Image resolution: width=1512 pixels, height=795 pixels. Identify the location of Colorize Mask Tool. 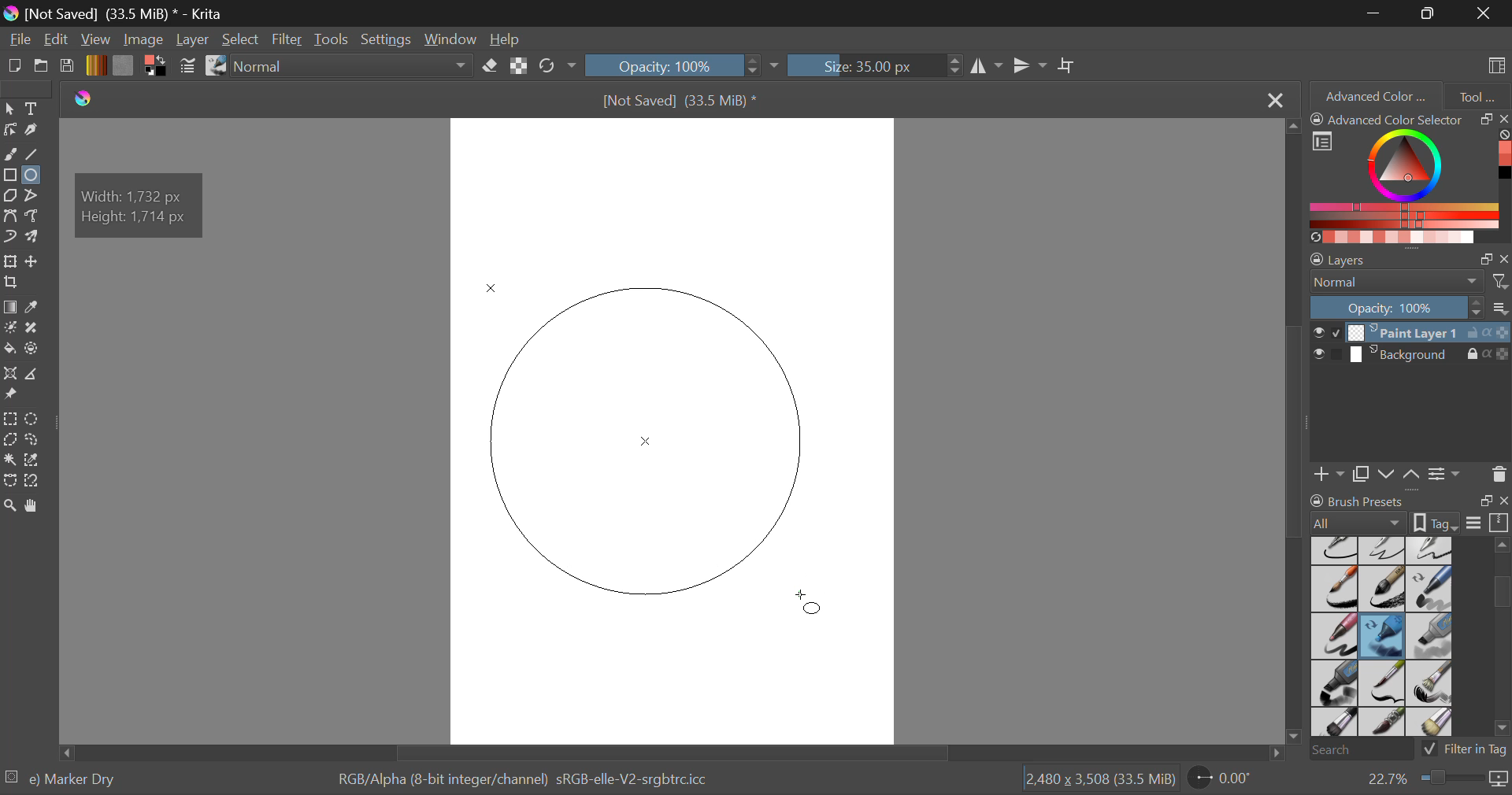
(11, 329).